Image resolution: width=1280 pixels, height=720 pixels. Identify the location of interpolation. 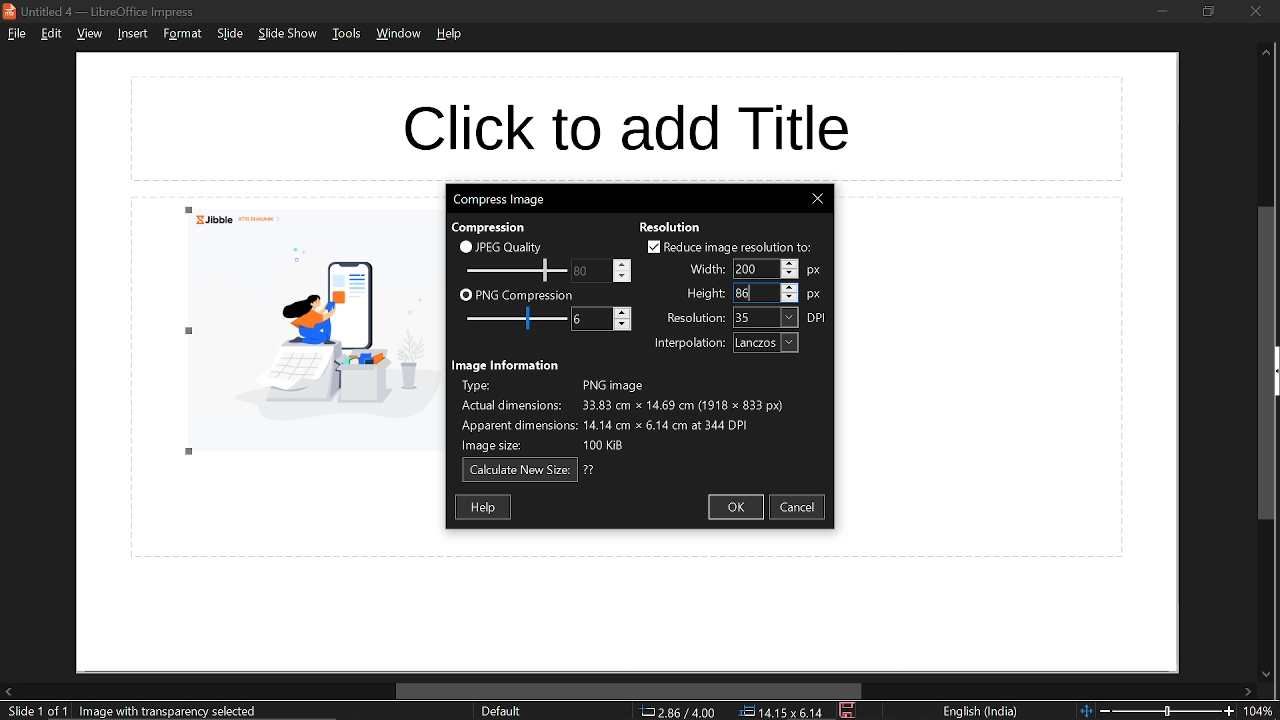
(766, 343).